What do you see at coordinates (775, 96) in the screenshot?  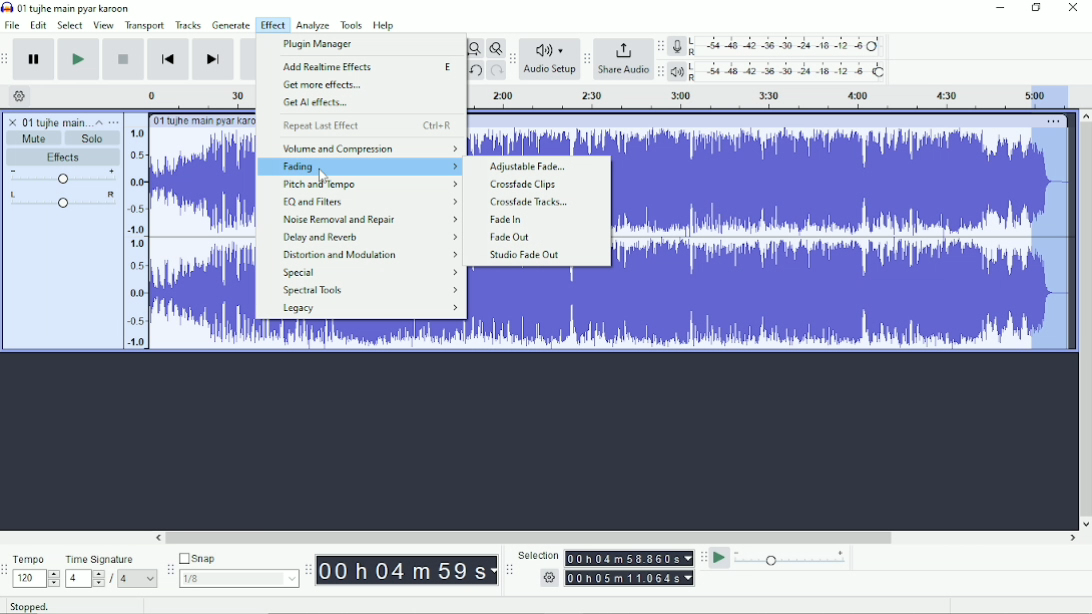 I see `Timeline` at bounding box center [775, 96].